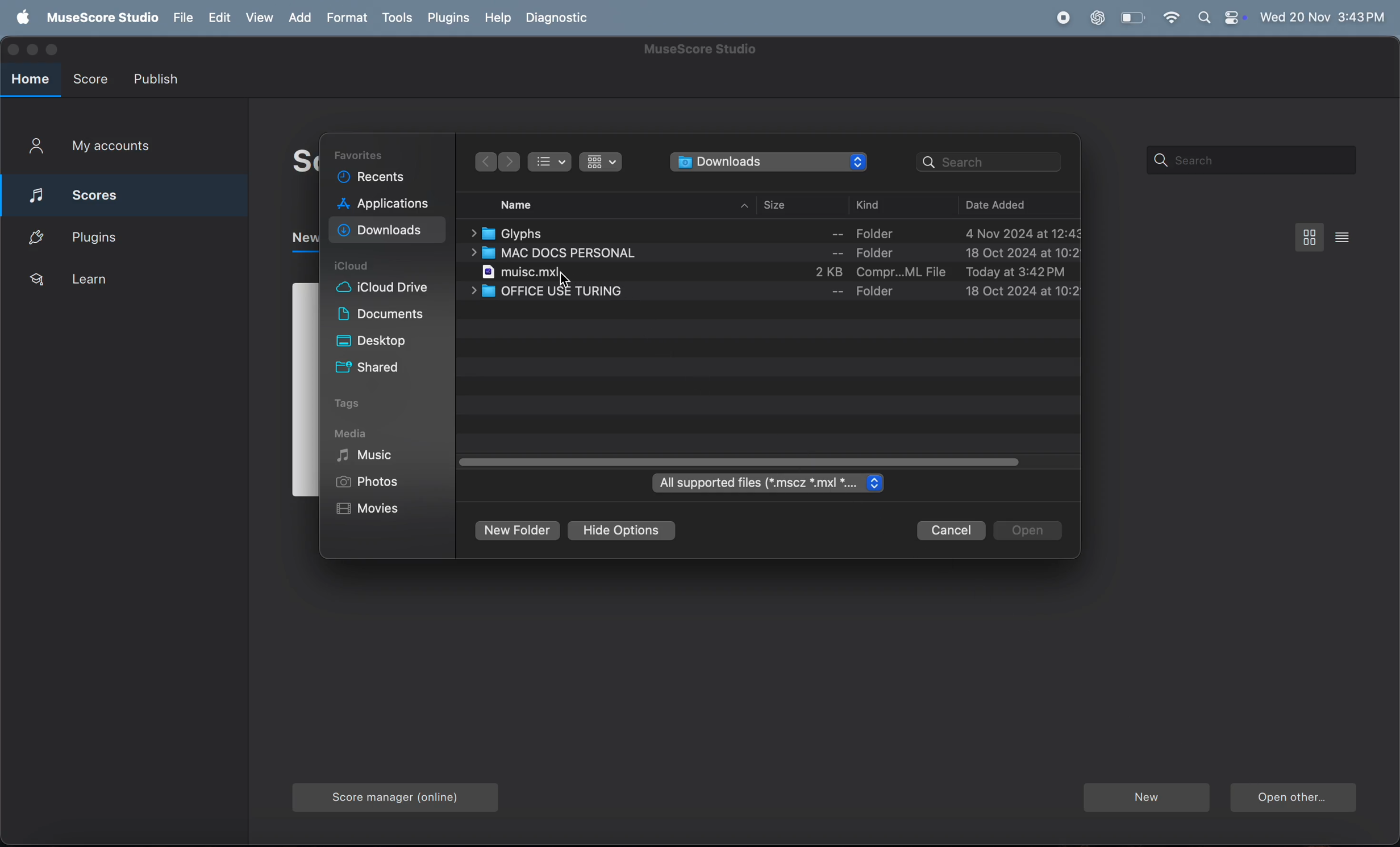 This screenshot has height=847, width=1400. I want to click on Favorites, so click(364, 155).